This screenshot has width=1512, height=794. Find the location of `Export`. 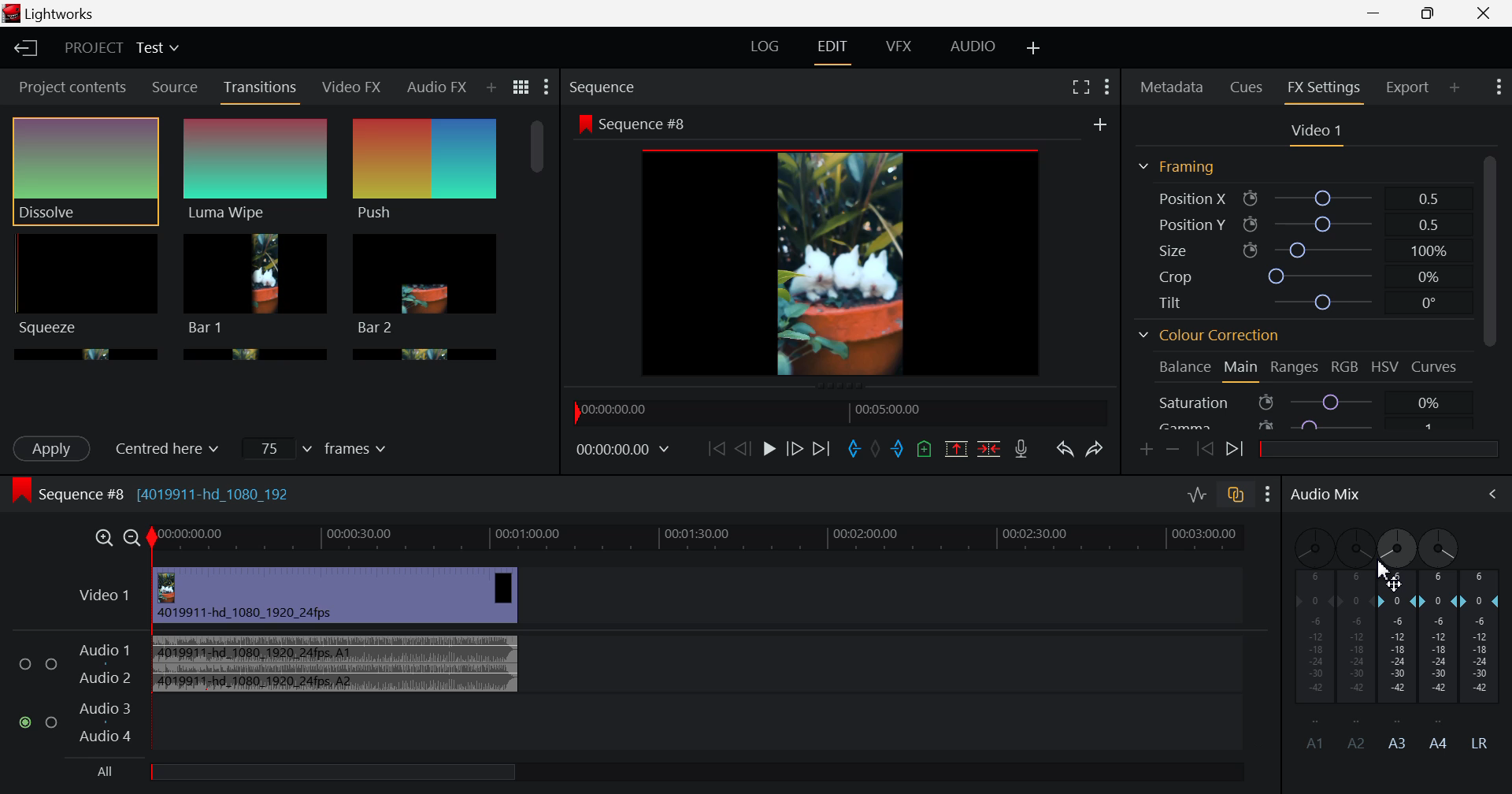

Export is located at coordinates (1408, 87).